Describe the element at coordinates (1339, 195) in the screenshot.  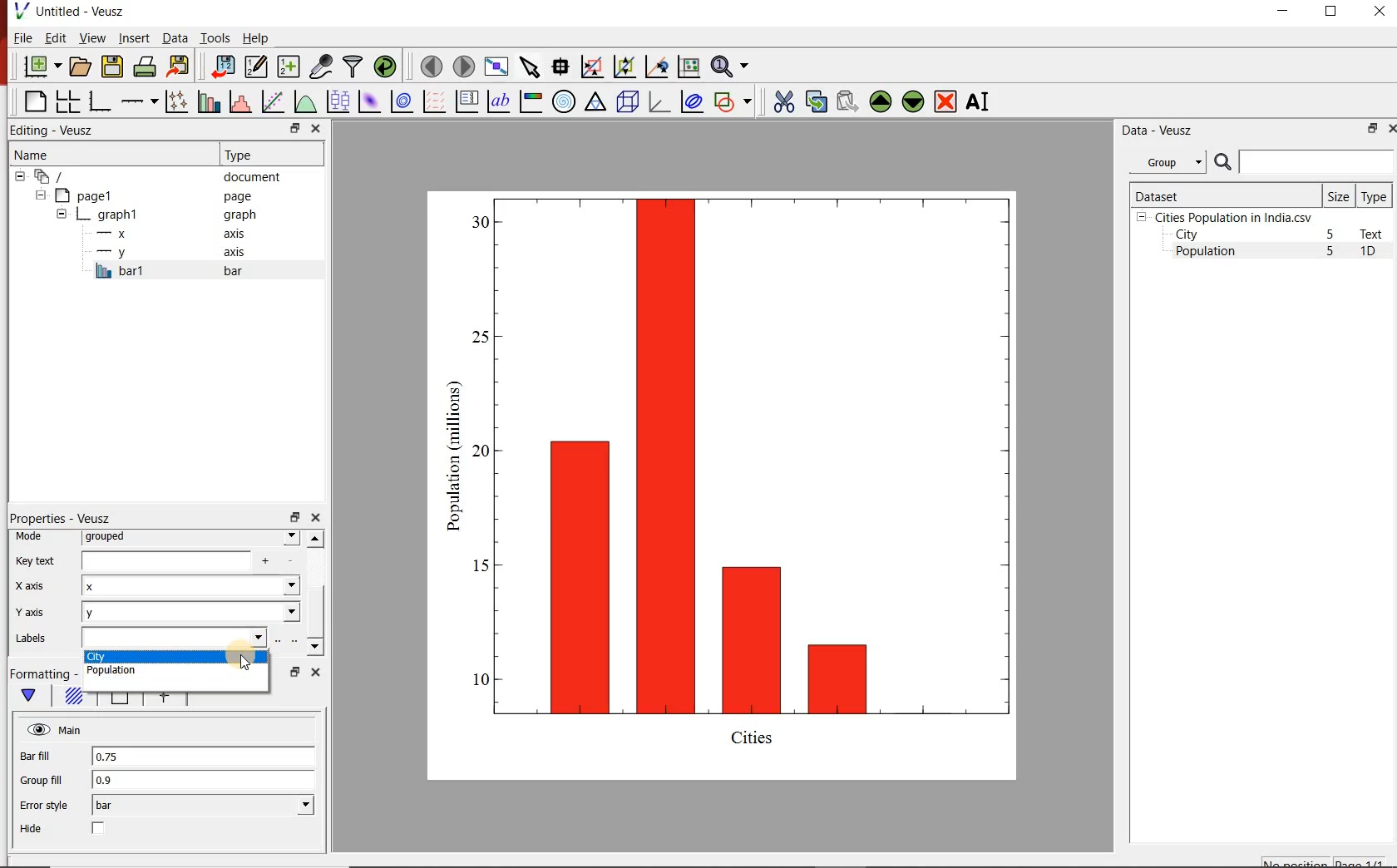
I see `Size` at that location.